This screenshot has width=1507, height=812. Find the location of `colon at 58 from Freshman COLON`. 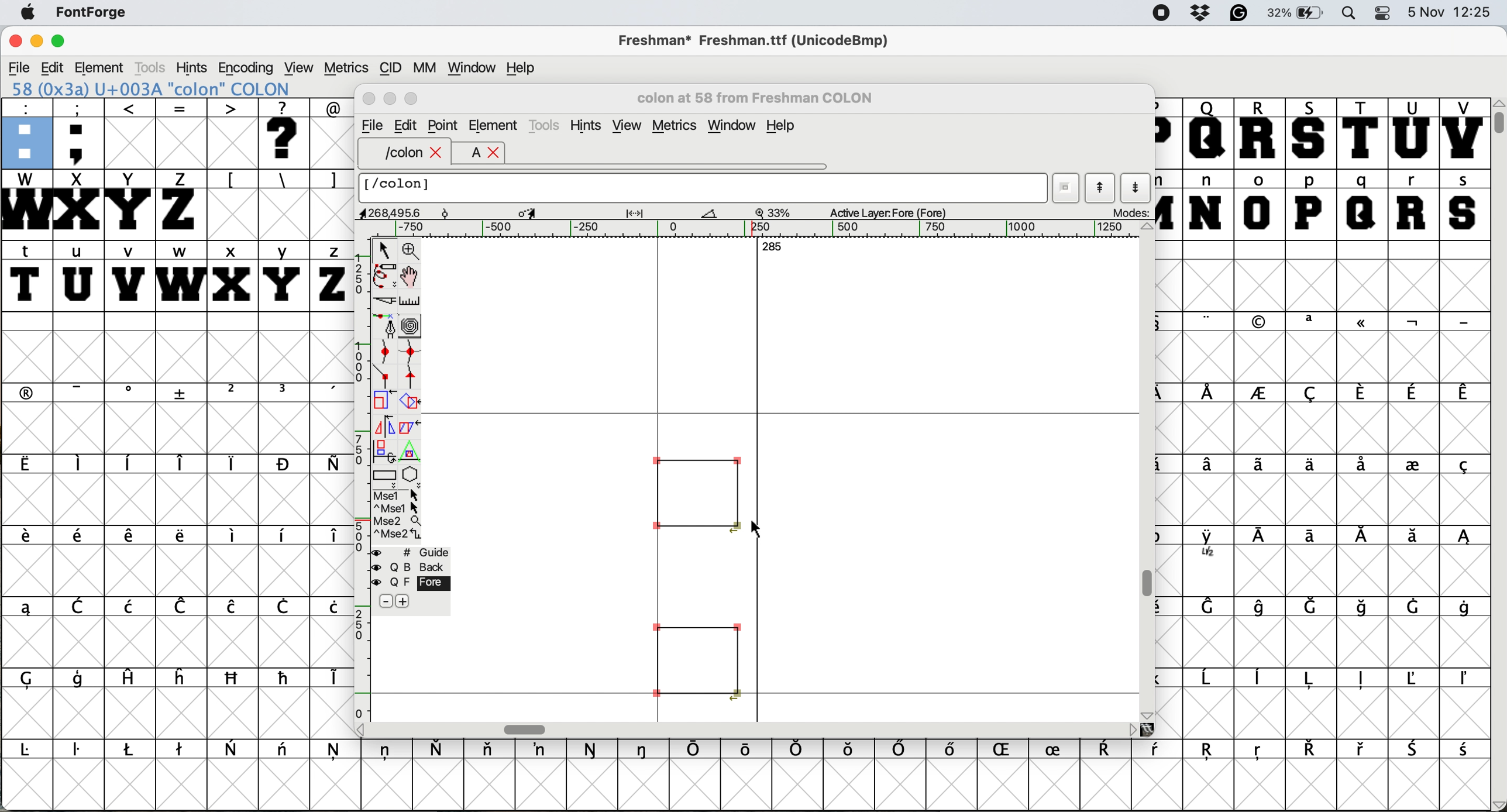

colon at 58 from Freshman COLON is located at coordinates (765, 97).